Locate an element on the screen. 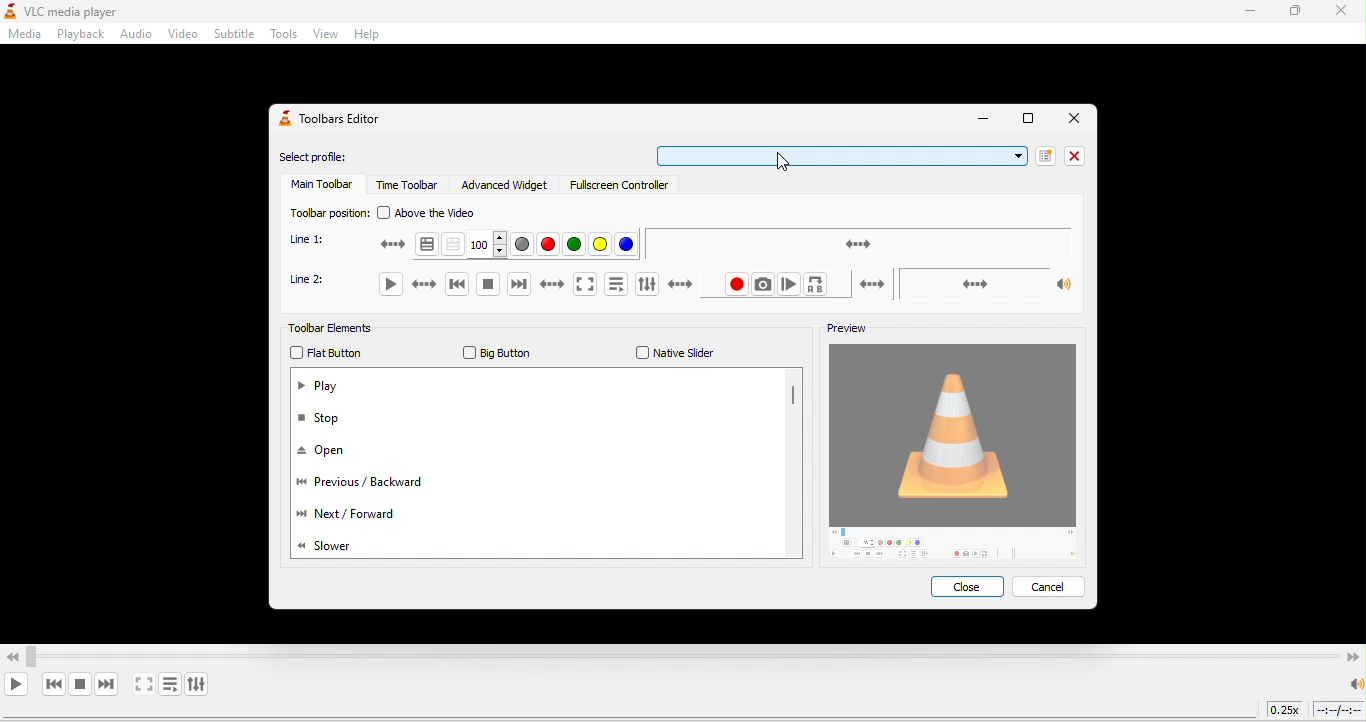 The image size is (1366, 722). loop from point a to point b is located at coordinates (846, 286).